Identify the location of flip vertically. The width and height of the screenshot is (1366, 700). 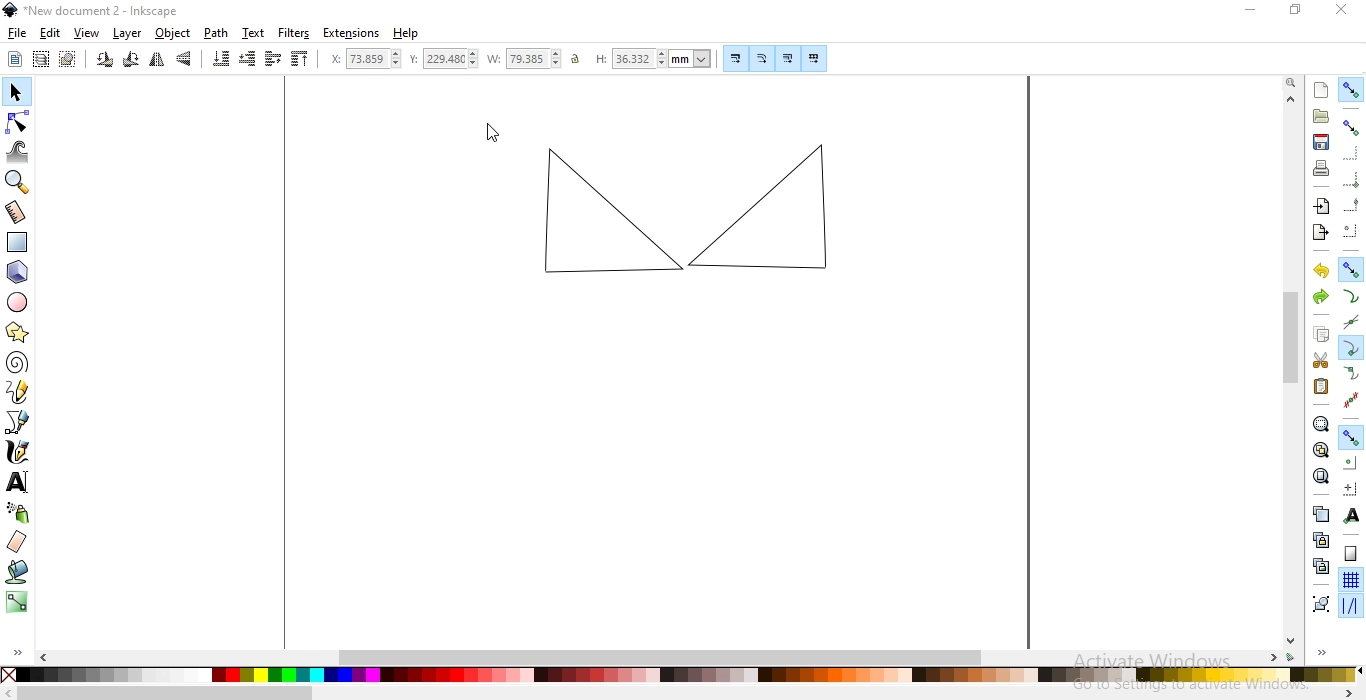
(184, 60).